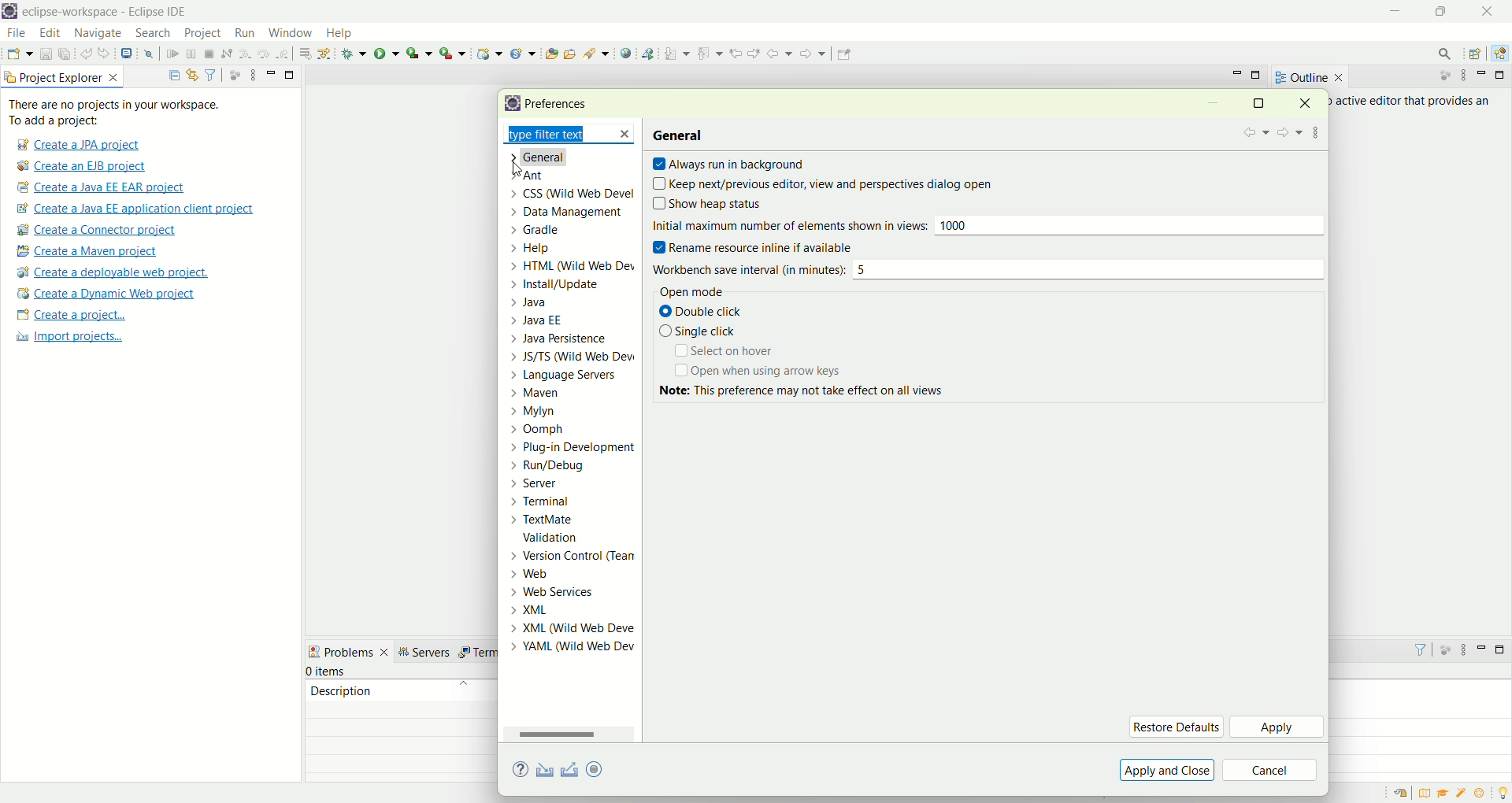 The image size is (1512, 803). Describe the element at coordinates (570, 214) in the screenshot. I see `data management` at that location.